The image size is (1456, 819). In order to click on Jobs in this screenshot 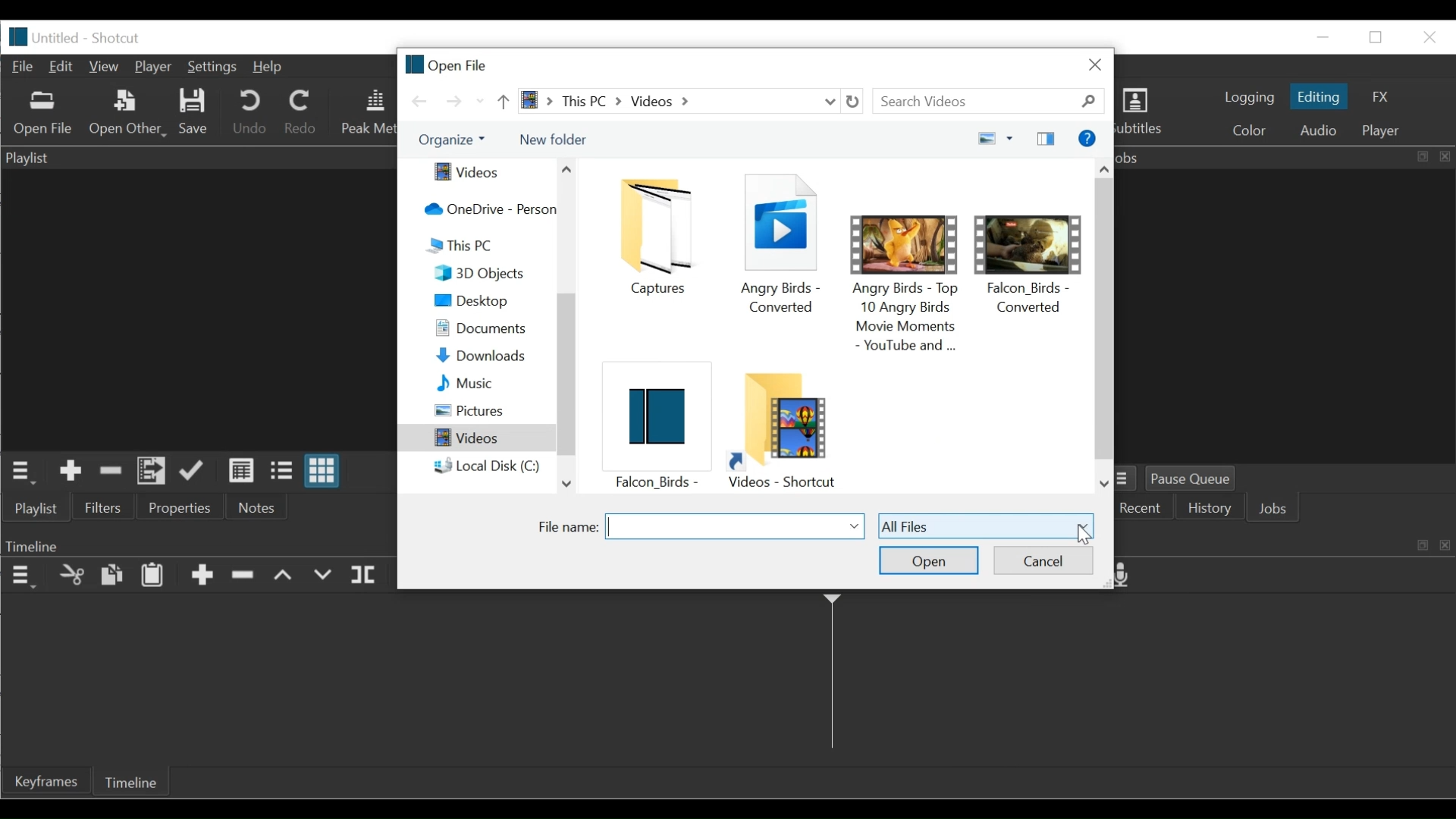, I will do `click(1277, 510)`.